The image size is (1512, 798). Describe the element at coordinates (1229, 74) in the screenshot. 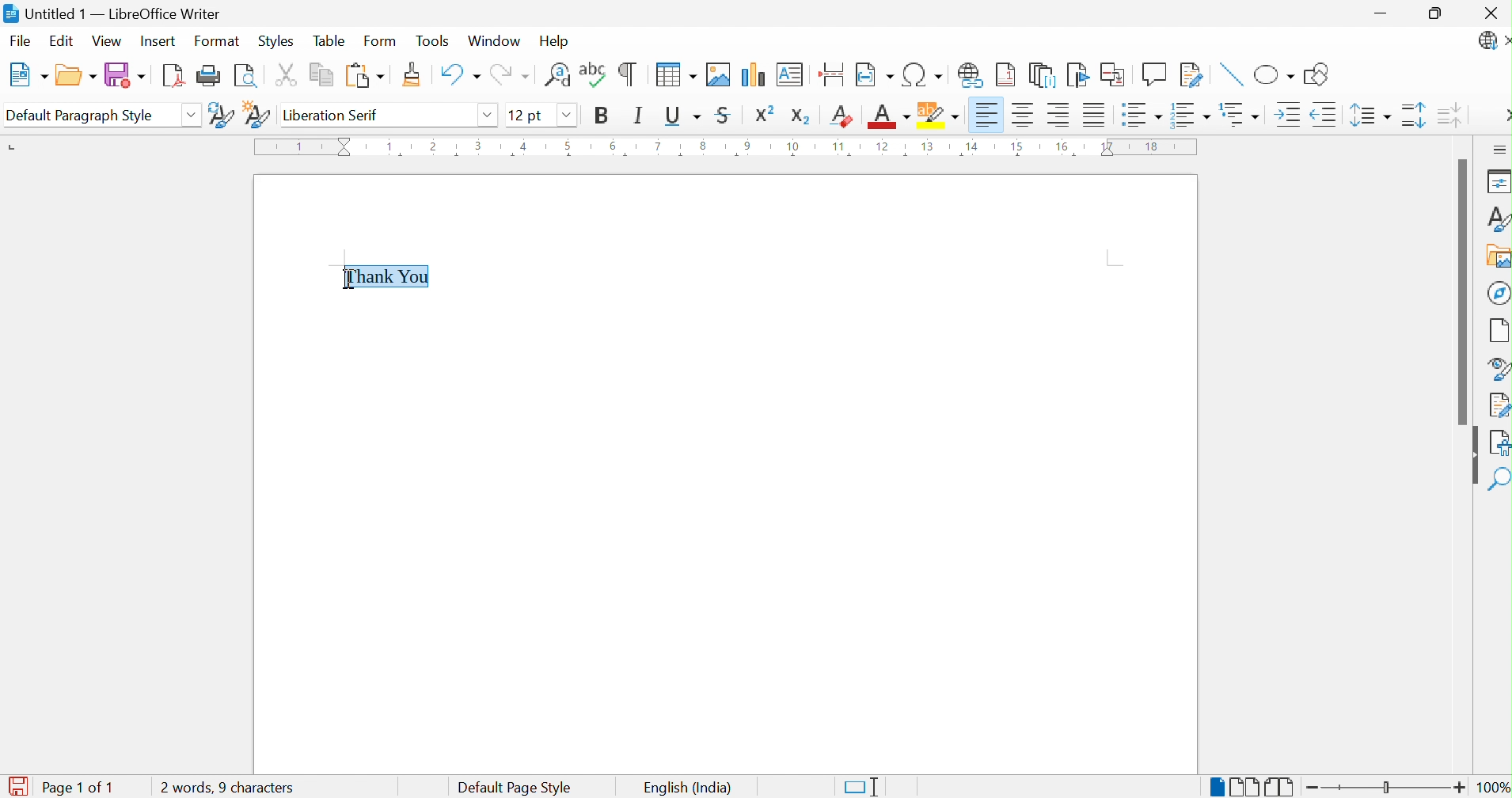

I see `Insert Line` at that location.